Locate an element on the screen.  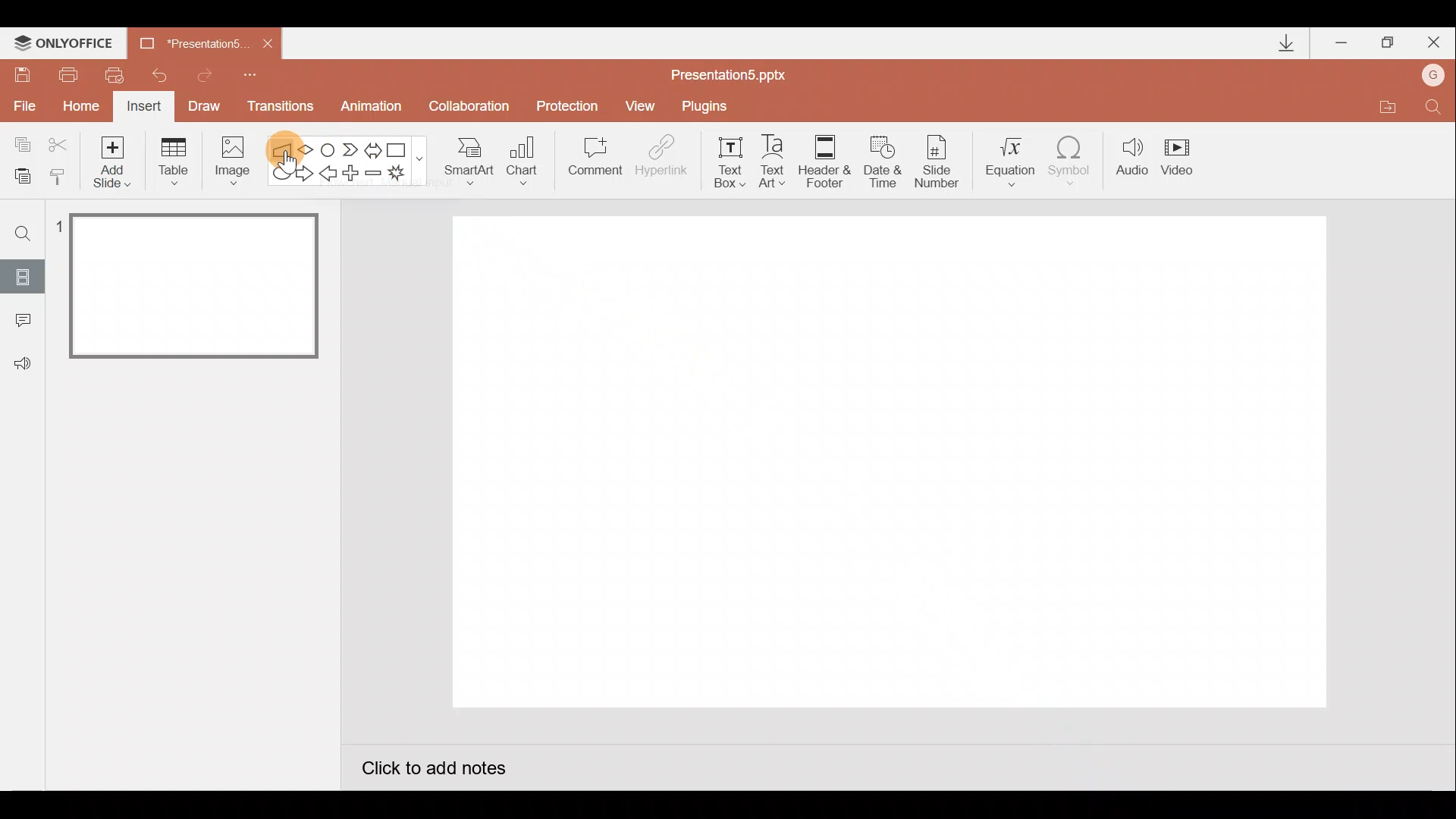
Feedback & support is located at coordinates (24, 362).